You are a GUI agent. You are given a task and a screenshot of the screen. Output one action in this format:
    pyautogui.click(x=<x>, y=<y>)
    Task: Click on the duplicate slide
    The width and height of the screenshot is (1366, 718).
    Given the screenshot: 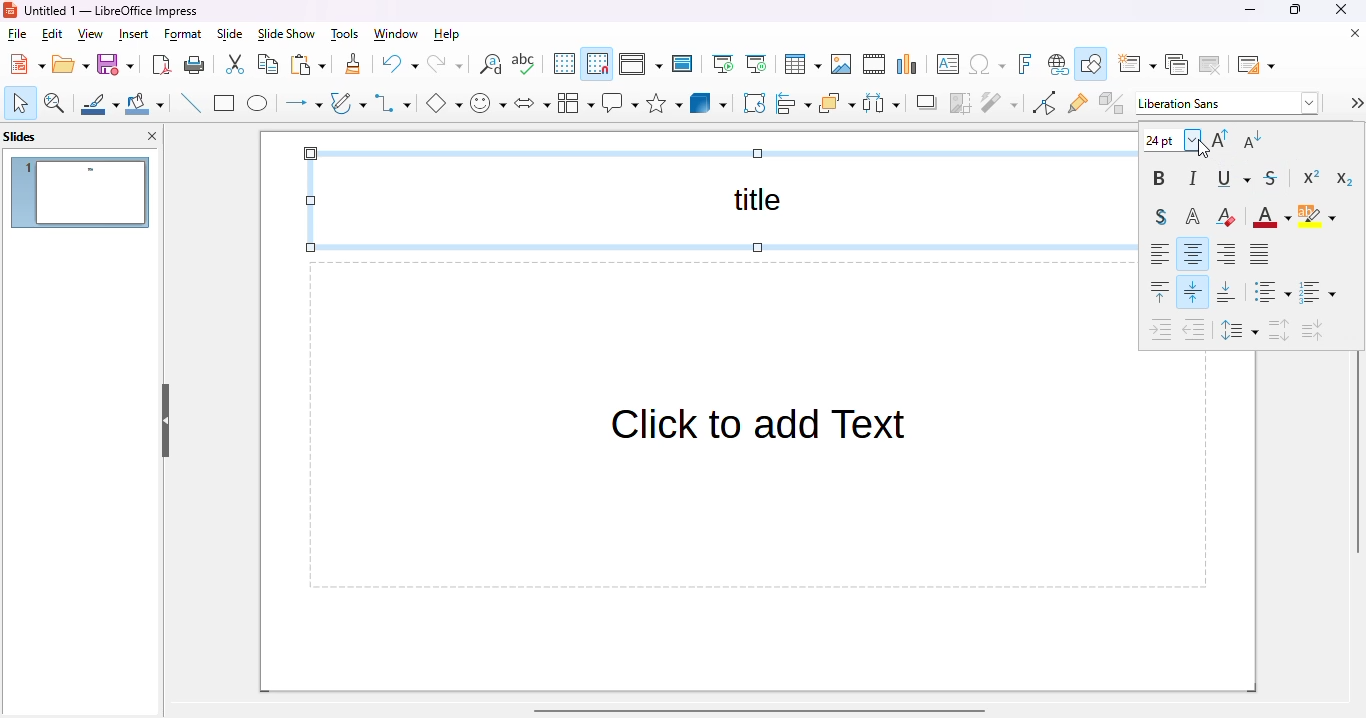 What is the action you would take?
    pyautogui.click(x=1176, y=64)
    